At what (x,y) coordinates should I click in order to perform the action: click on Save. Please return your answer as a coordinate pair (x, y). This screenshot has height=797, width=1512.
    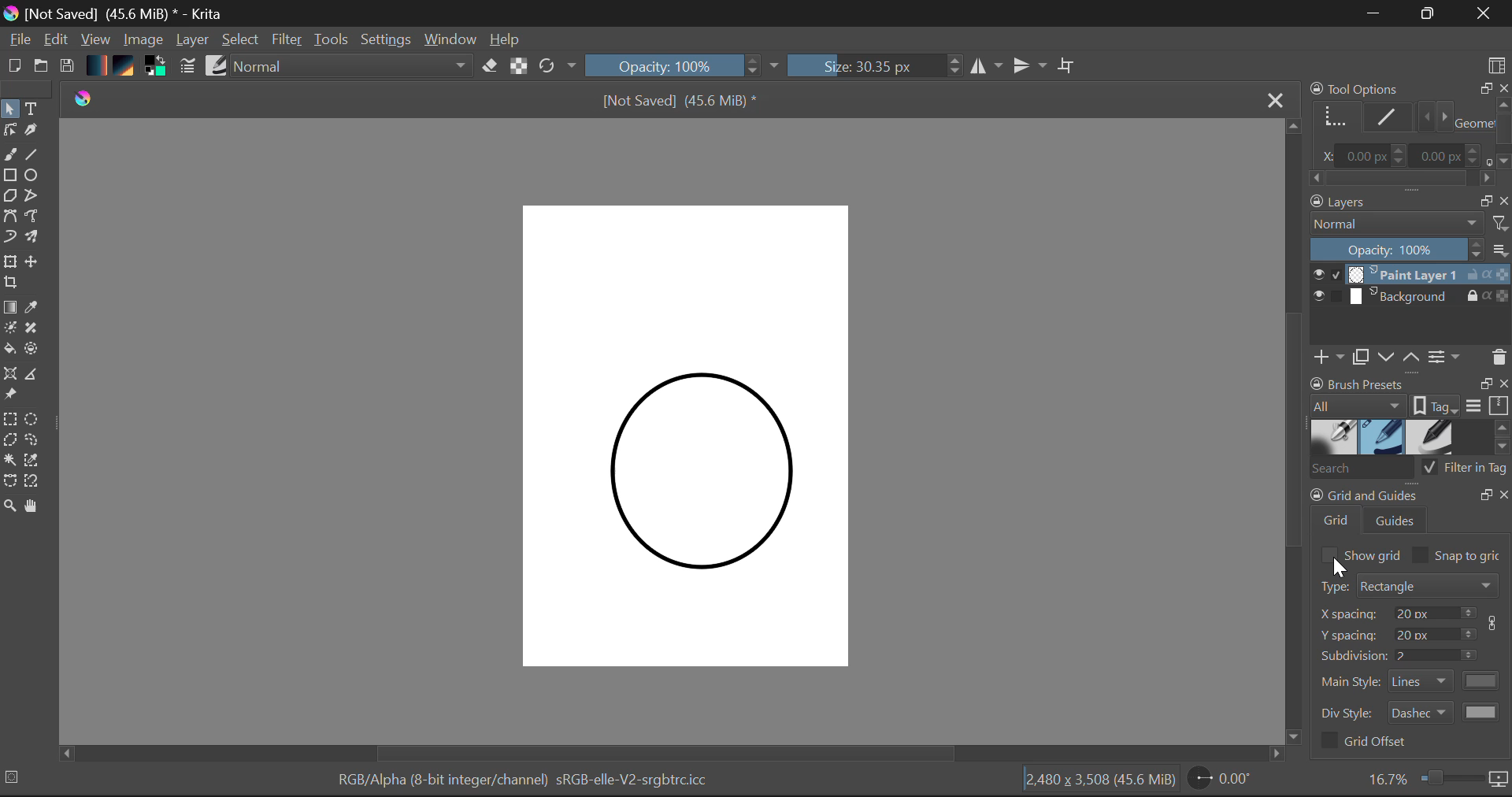
    Looking at the image, I should click on (68, 67).